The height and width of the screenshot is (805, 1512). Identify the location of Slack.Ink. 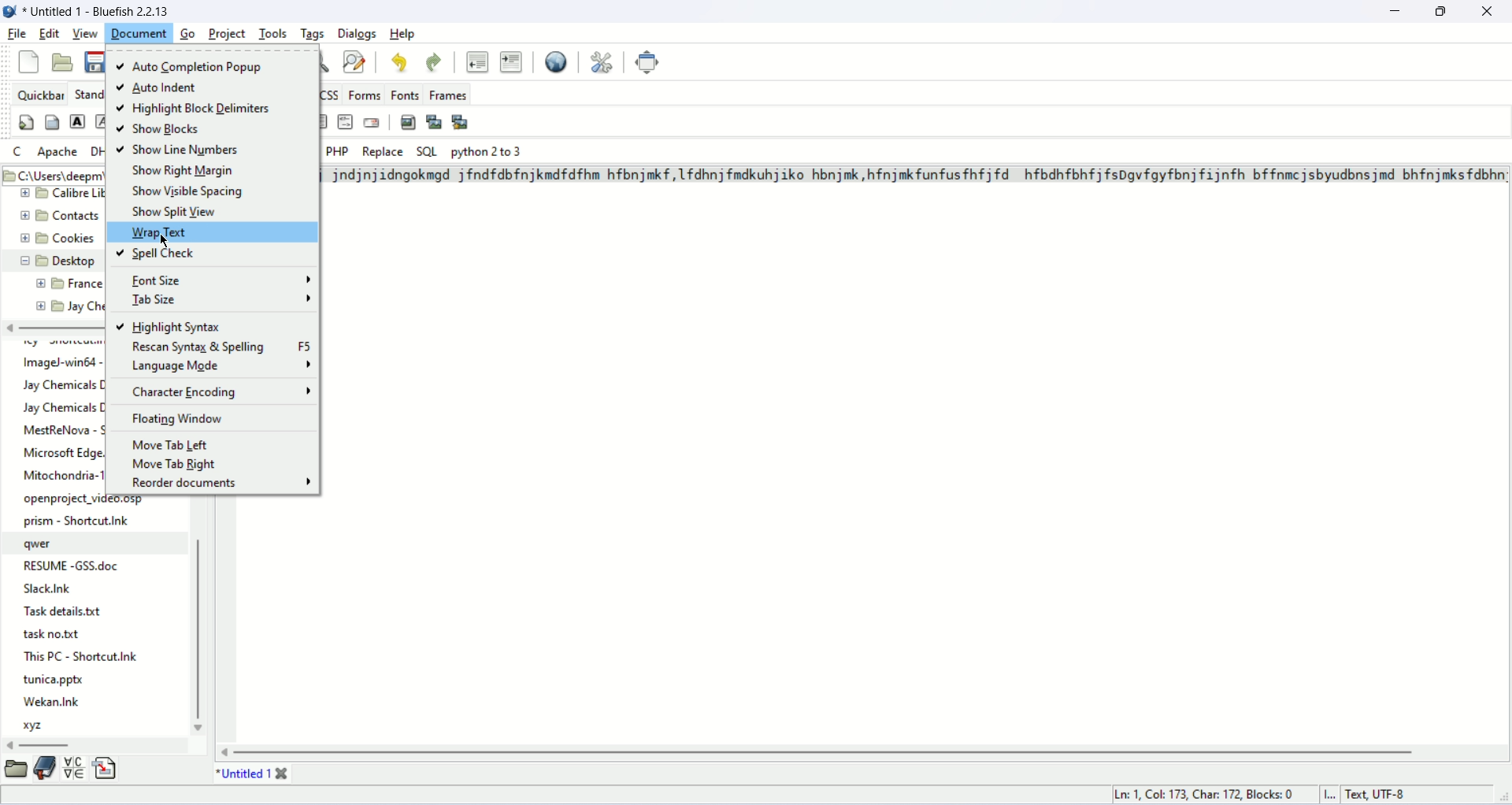
(57, 589).